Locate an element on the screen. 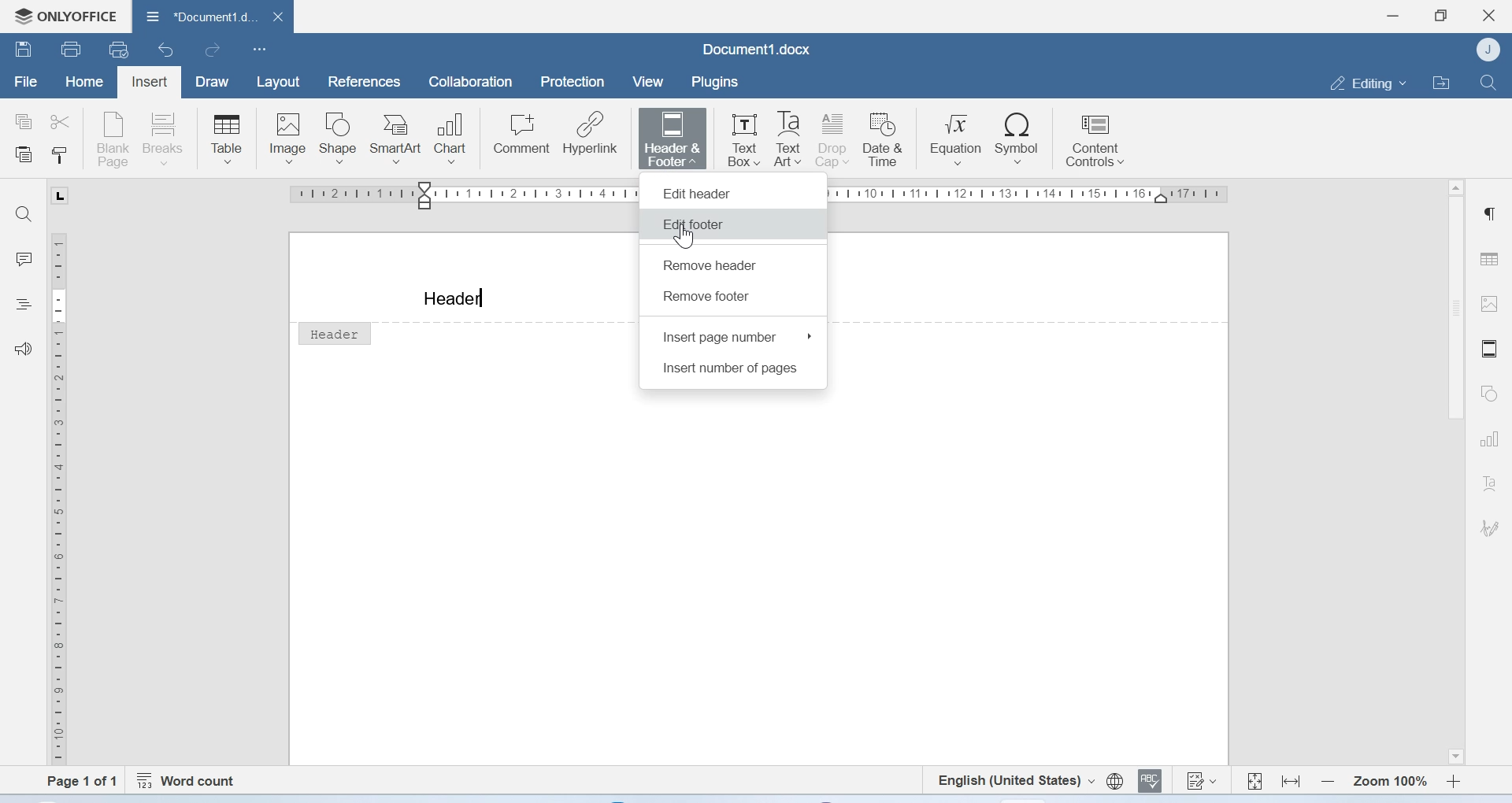 This screenshot has width=1512, height=803. cursor on edit footer is located at coordinates (687, 237).